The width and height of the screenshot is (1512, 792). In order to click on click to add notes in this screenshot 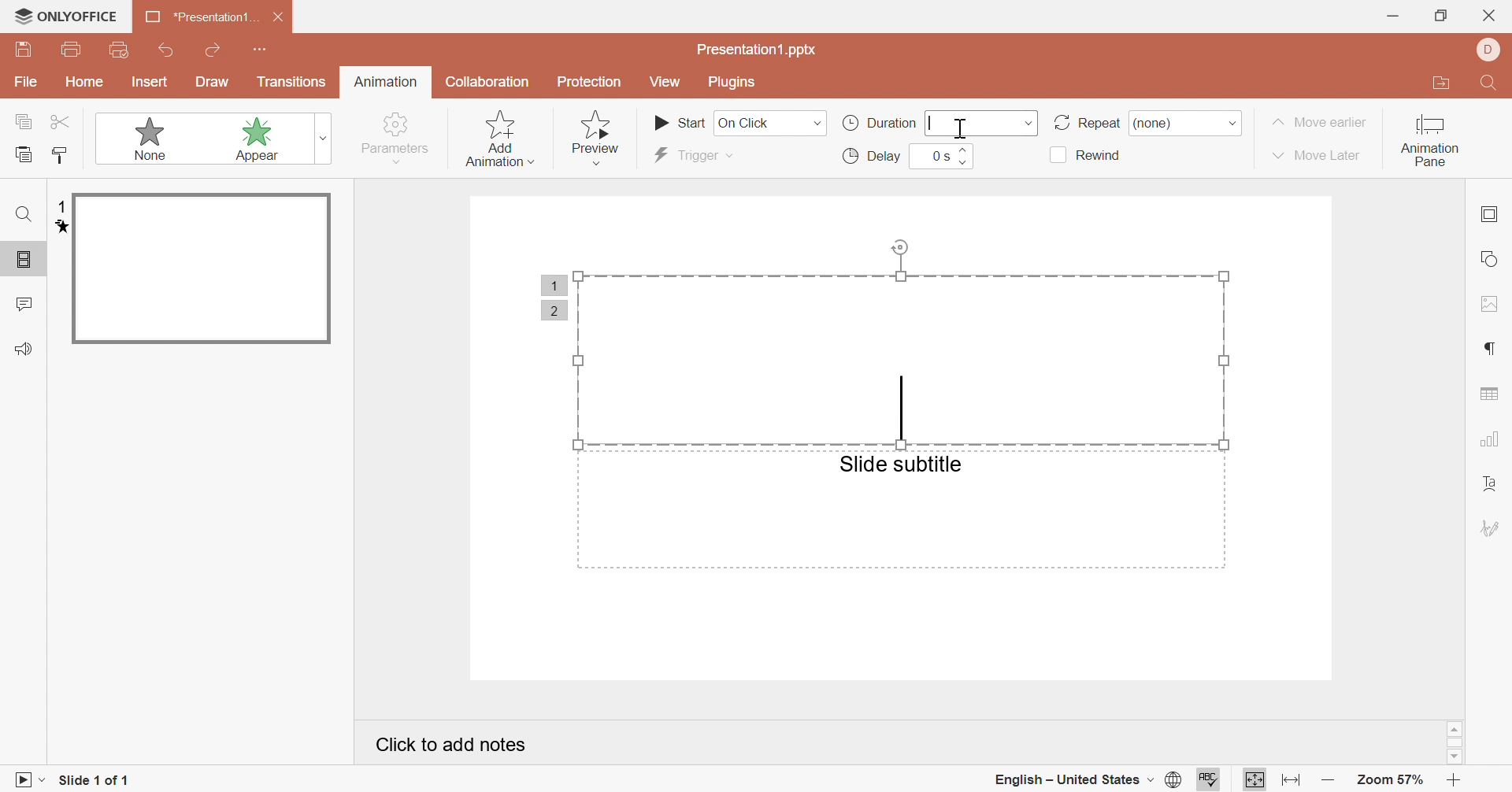, I will do `click(448, 742)`.